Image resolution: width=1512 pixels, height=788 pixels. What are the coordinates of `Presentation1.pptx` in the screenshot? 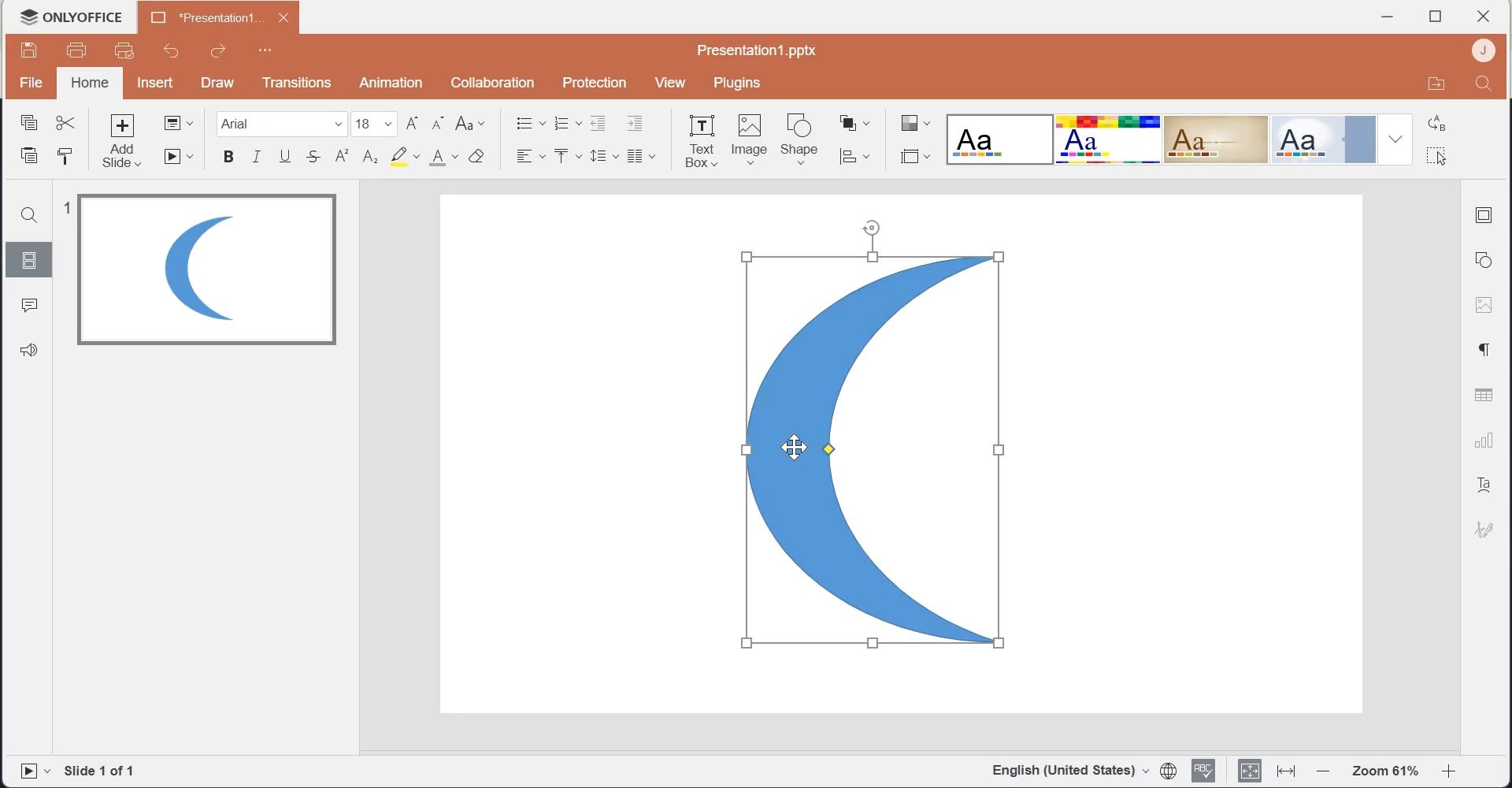 It's located at (758, 50).